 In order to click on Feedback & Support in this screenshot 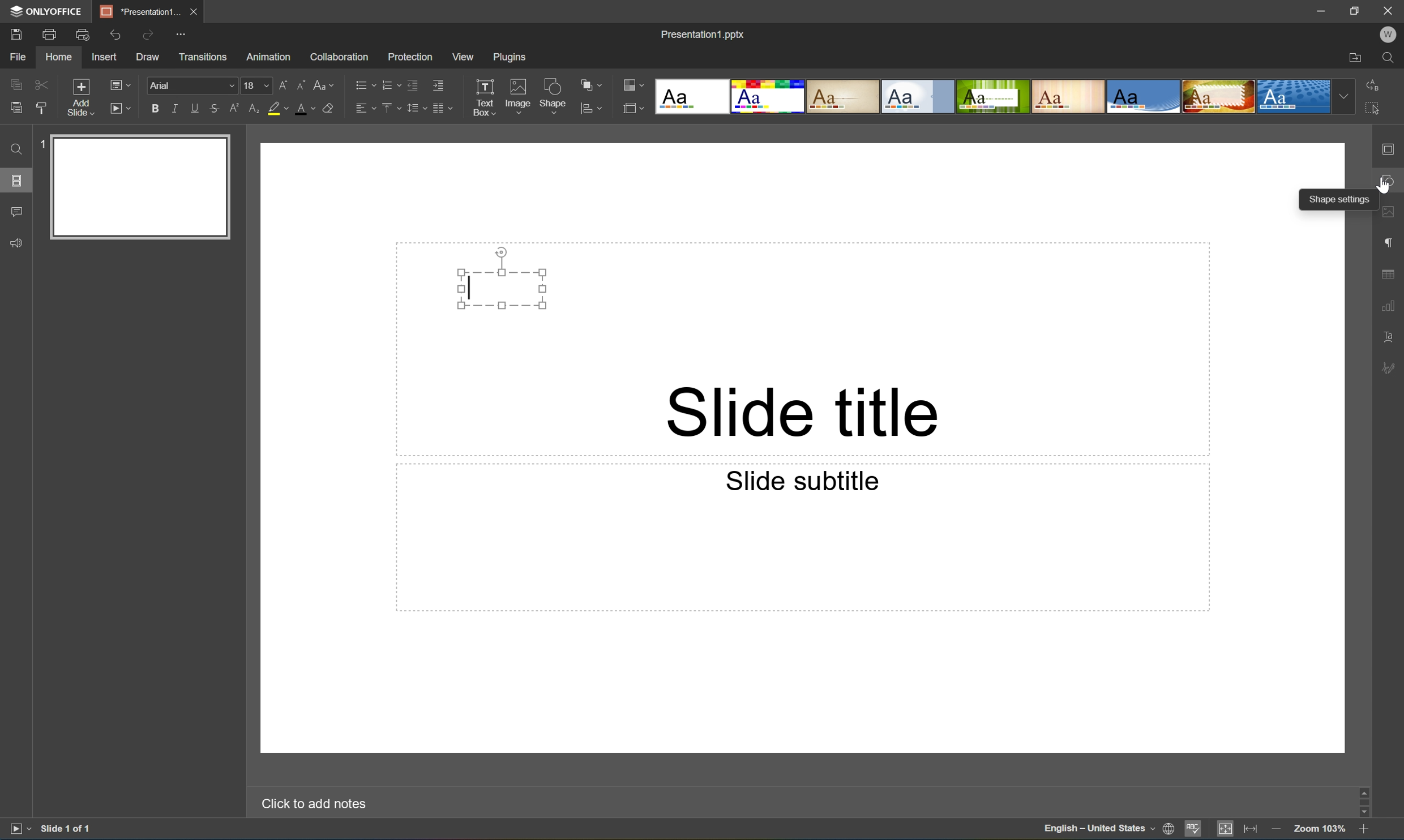, I will do `click(18, 242)`.